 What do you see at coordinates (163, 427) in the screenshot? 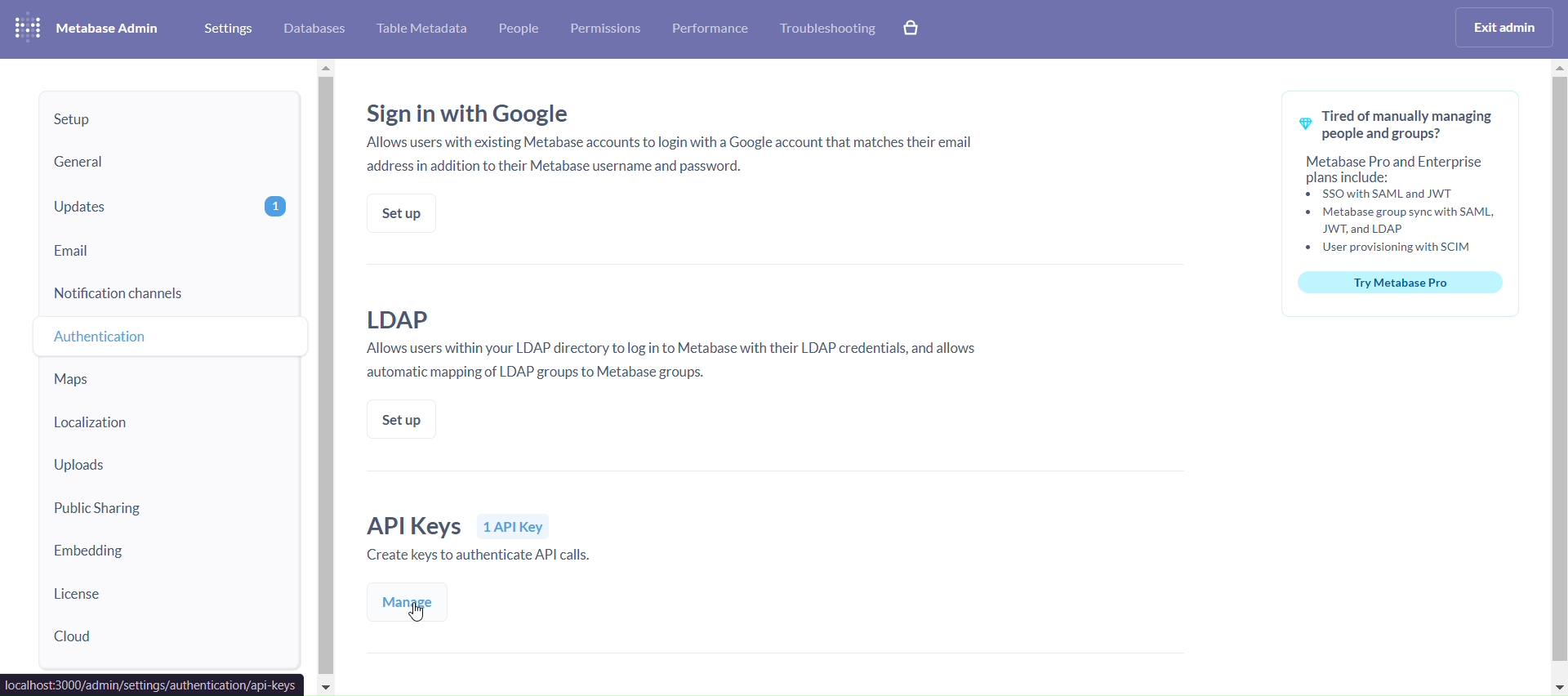
I see `localization` at bounding box center [163, 427].